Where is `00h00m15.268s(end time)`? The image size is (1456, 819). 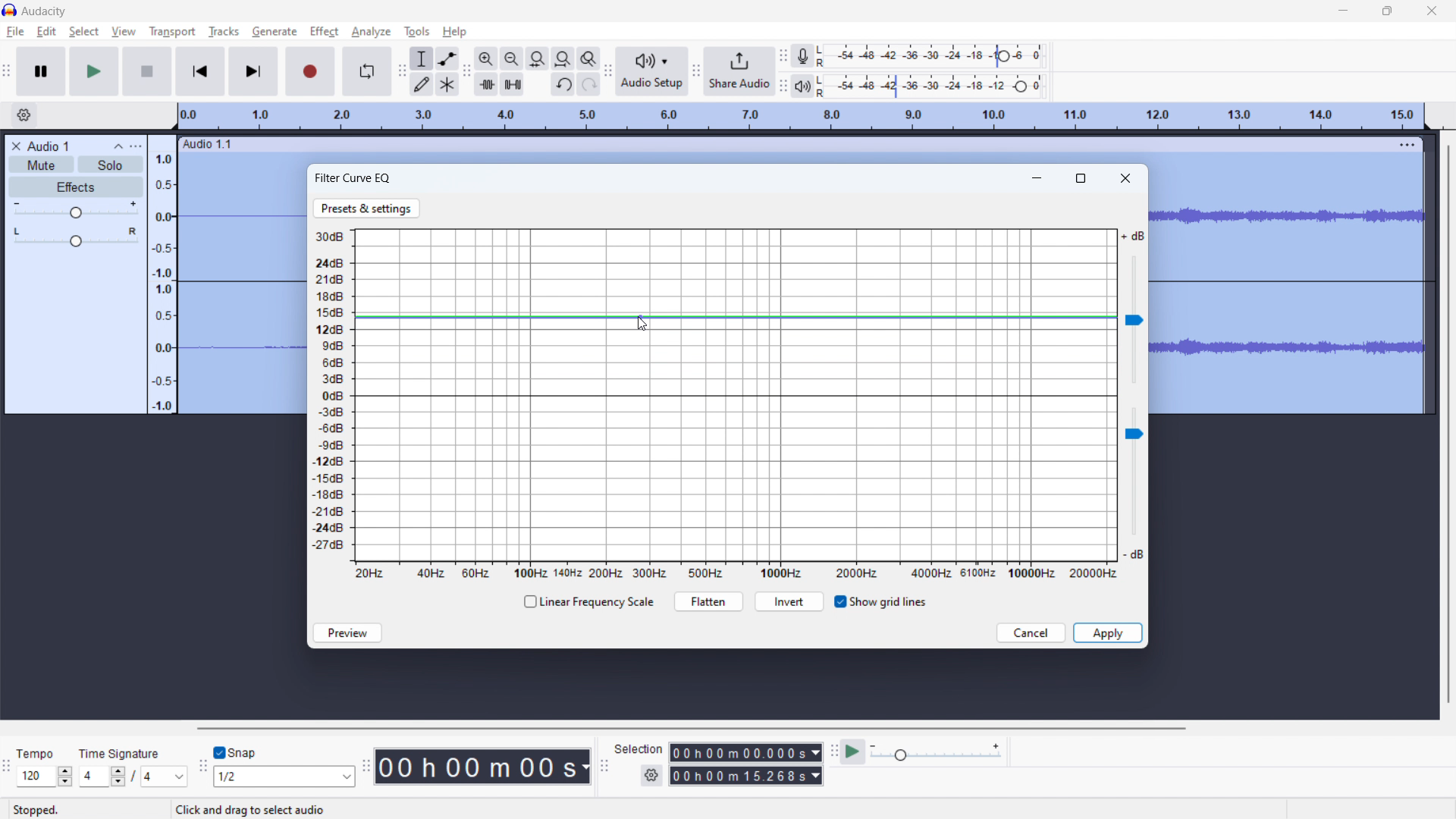 00h00m15.268s(end time) is located at coordinates (745, 776).